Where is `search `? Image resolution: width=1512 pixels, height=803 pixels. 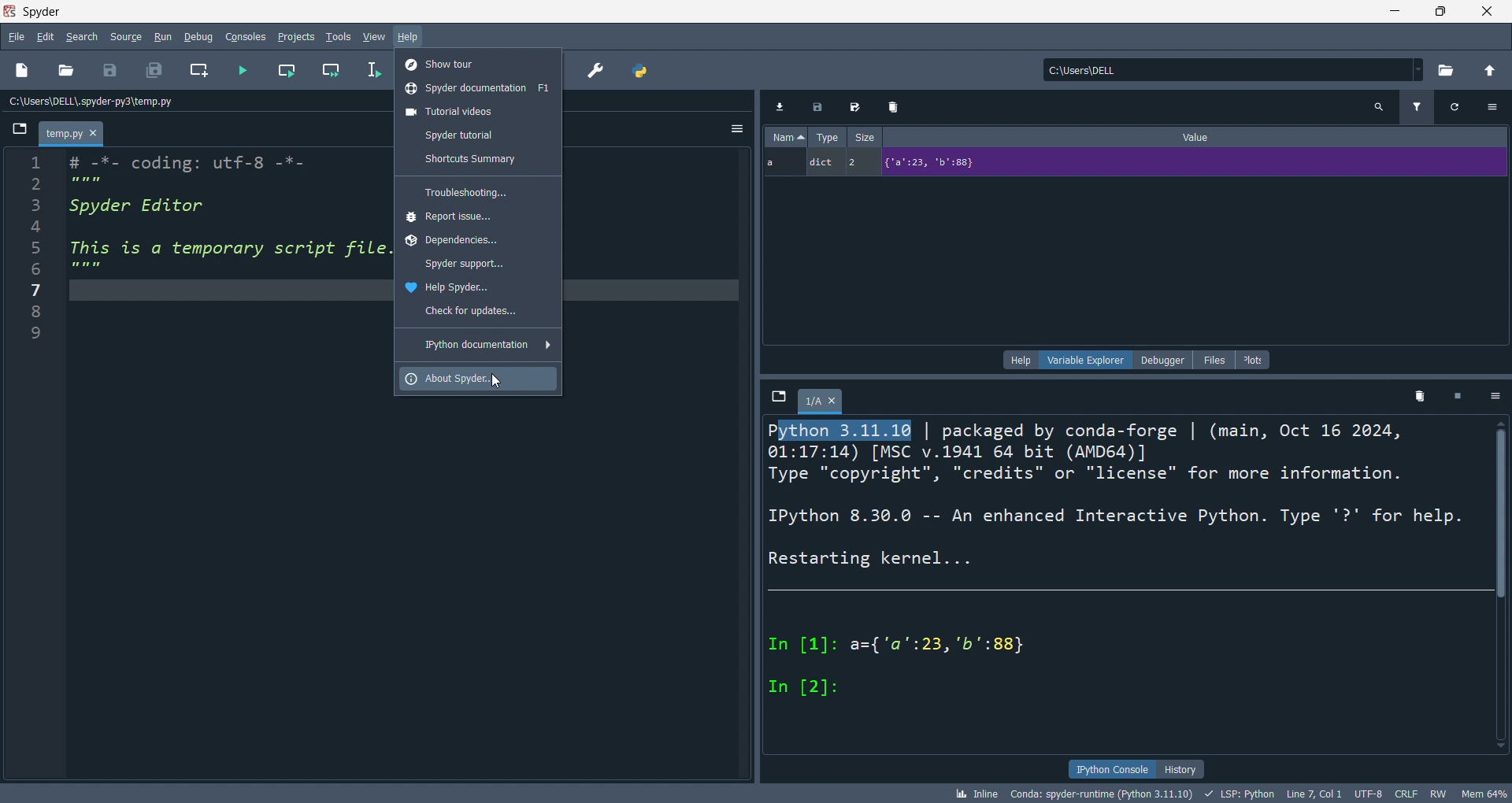
search  is located at coordinates (83, 37).